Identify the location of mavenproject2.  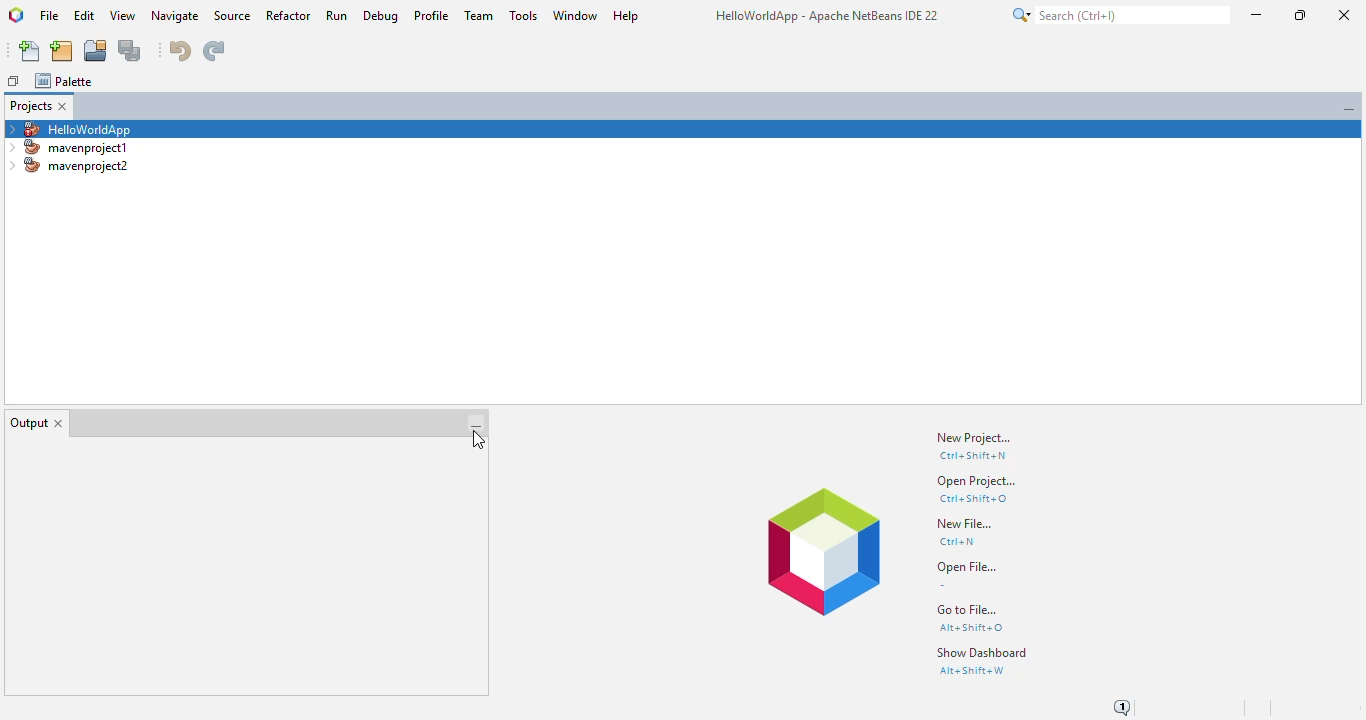
(69, 165).